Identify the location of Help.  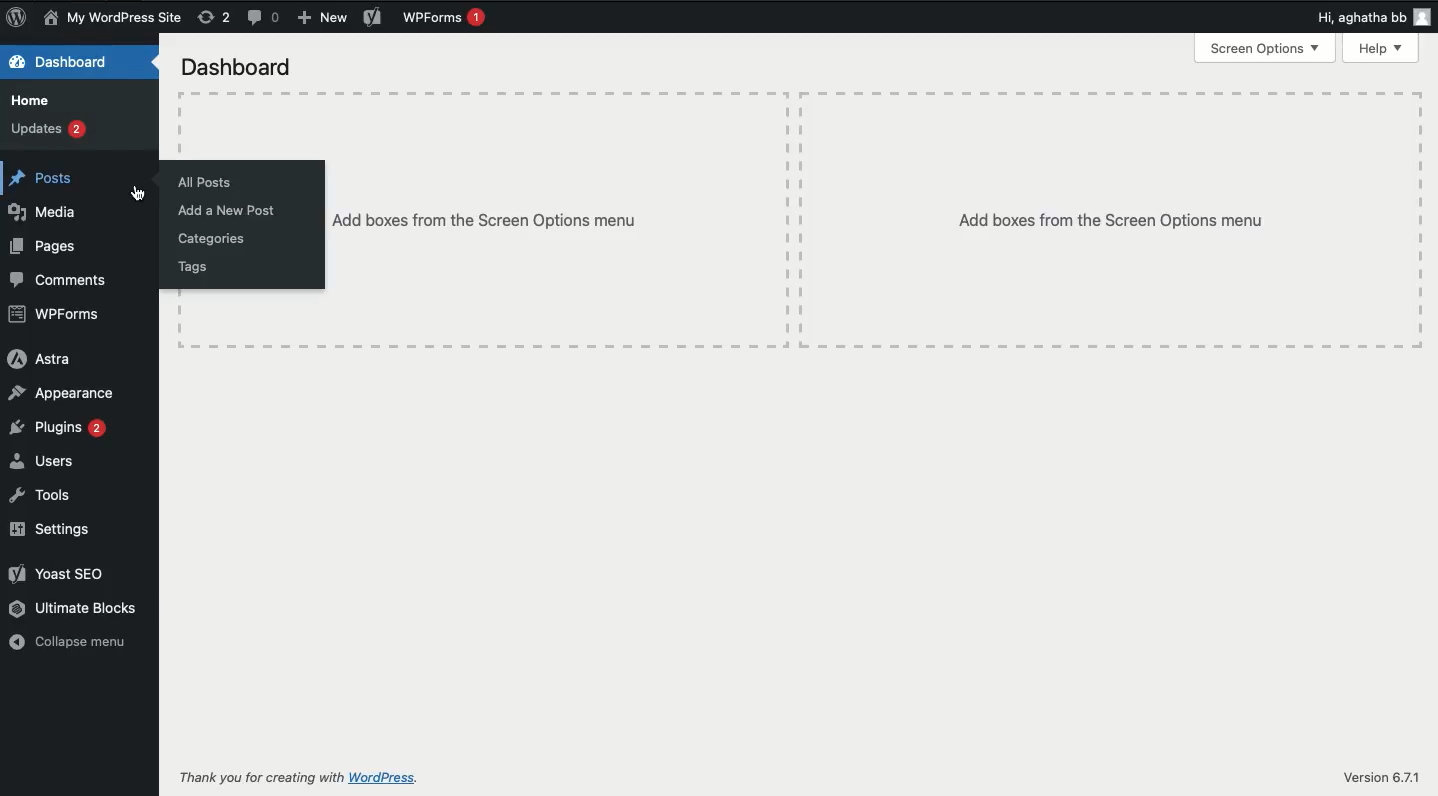
(1380, 49).